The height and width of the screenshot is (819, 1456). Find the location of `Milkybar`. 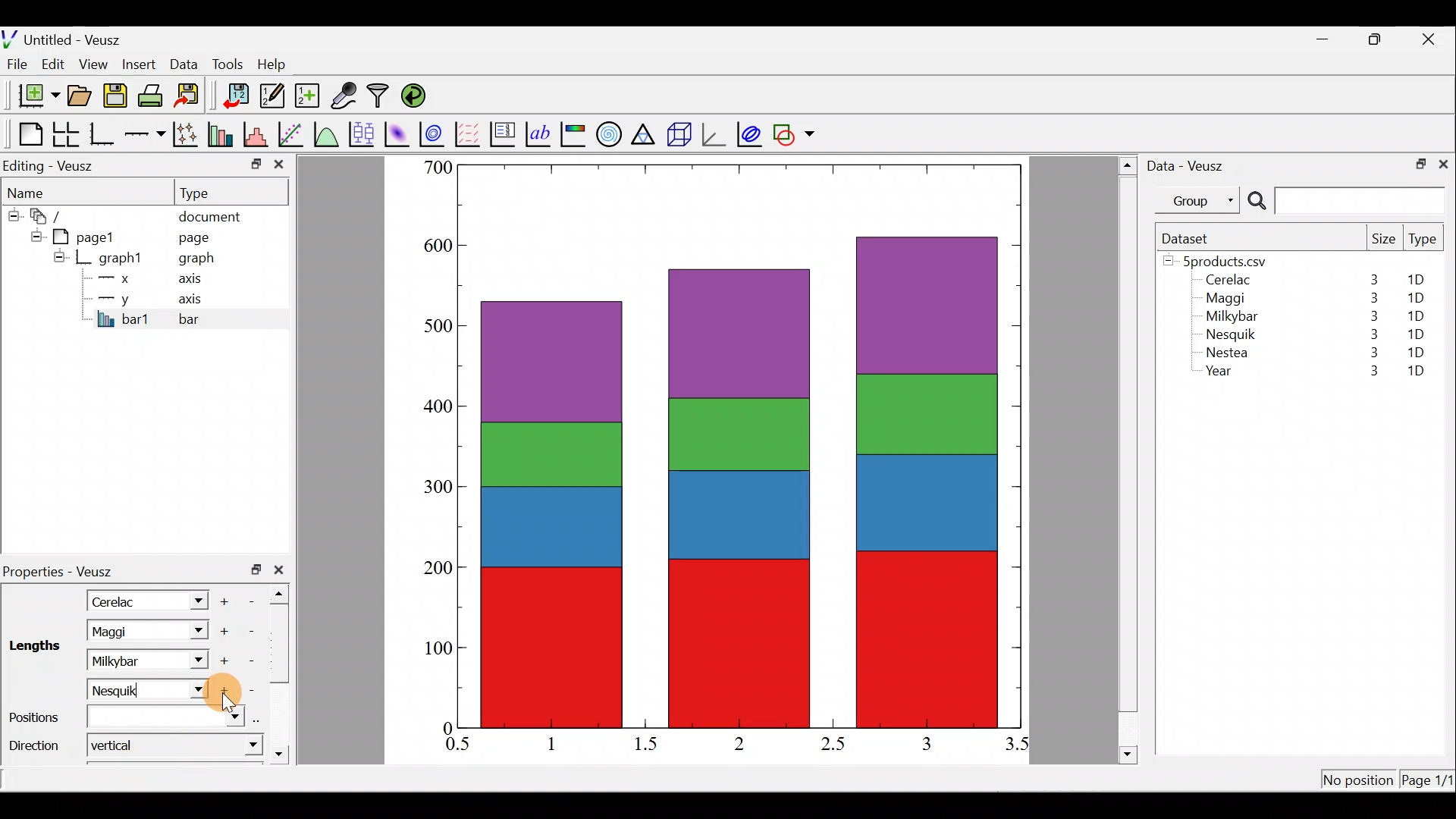

Milkybar is located at coordinates (1228, 318).